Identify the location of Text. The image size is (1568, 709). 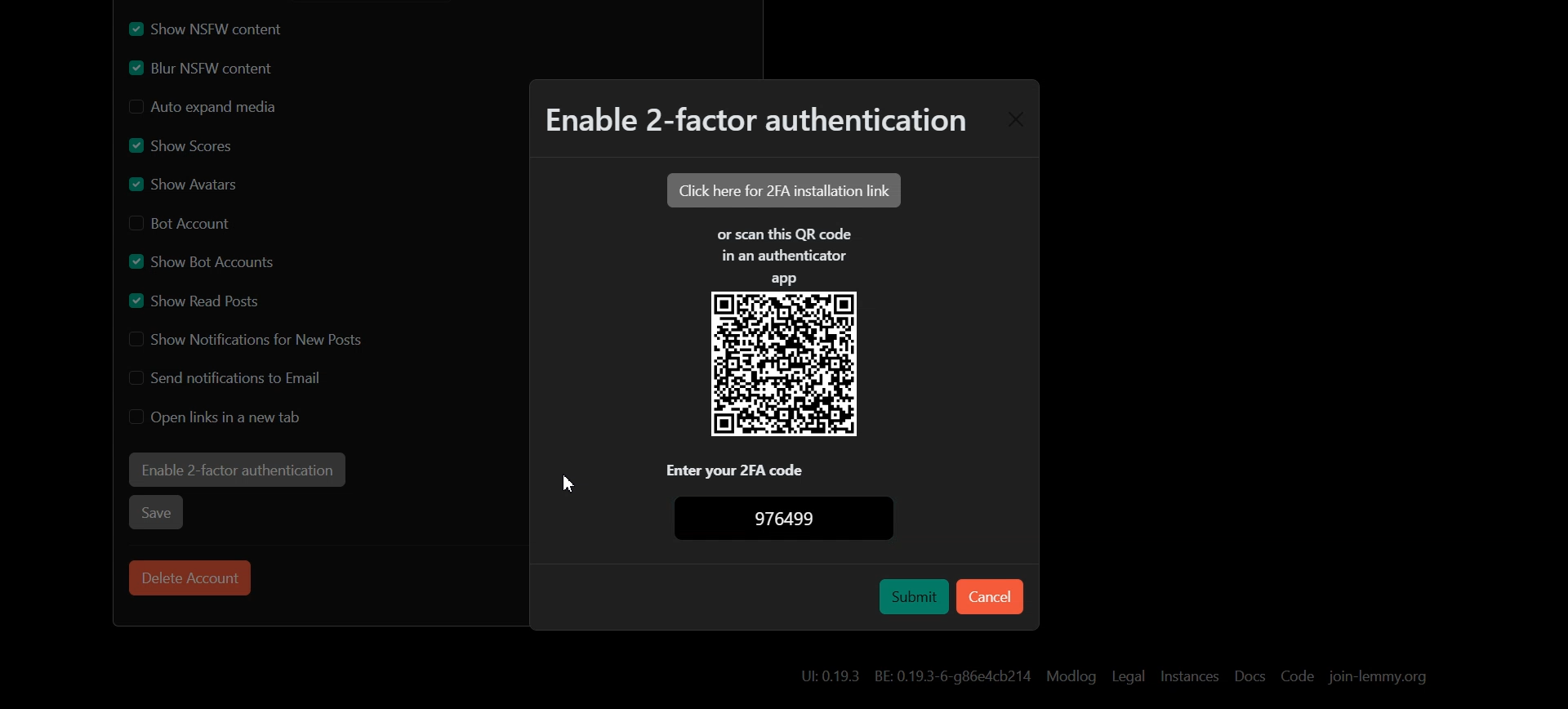
(795, 519).